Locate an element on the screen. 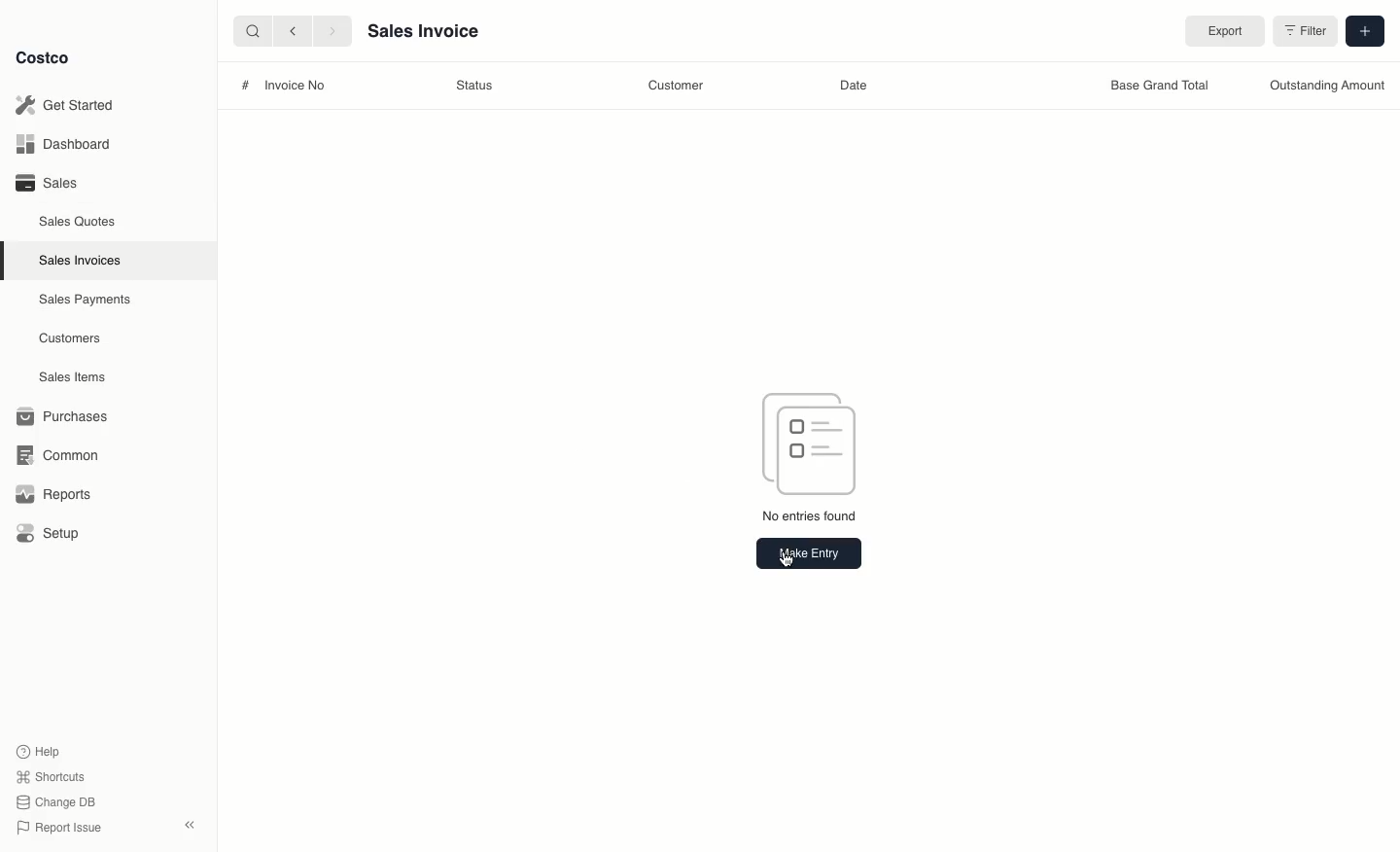  Change DB is located at coordinates (58, 799).